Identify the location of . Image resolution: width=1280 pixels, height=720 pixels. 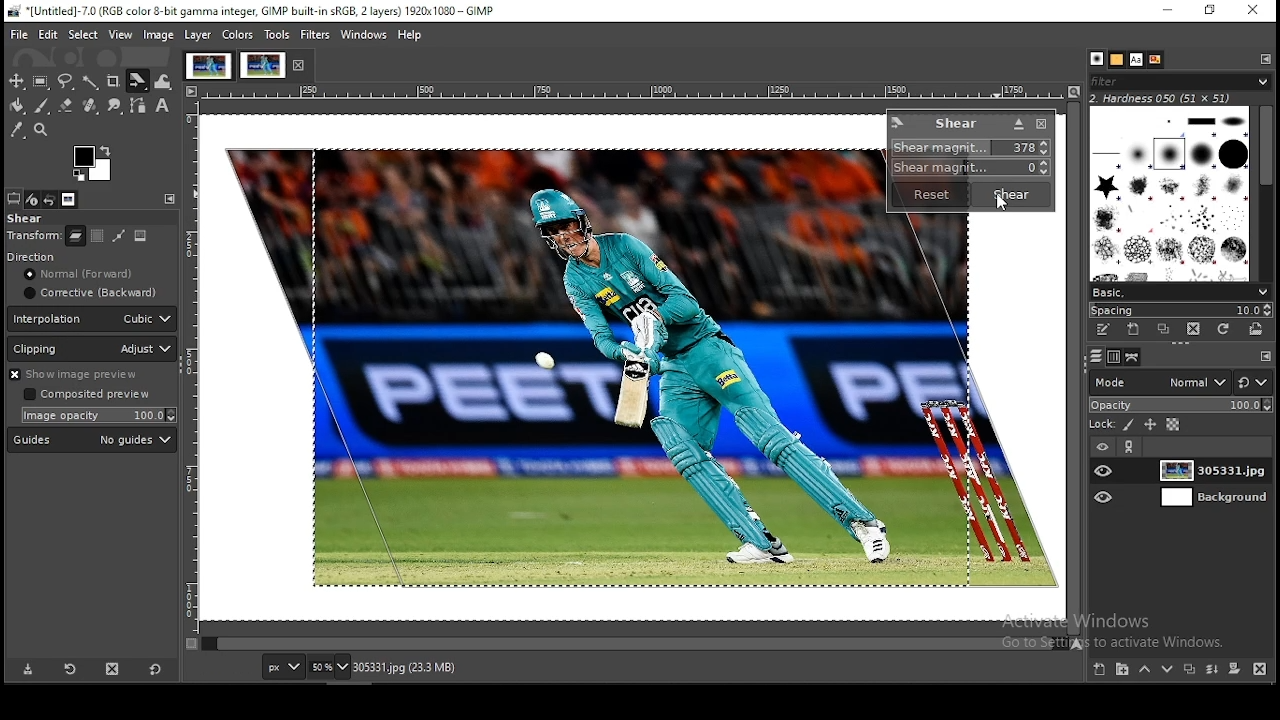
(66, 105).